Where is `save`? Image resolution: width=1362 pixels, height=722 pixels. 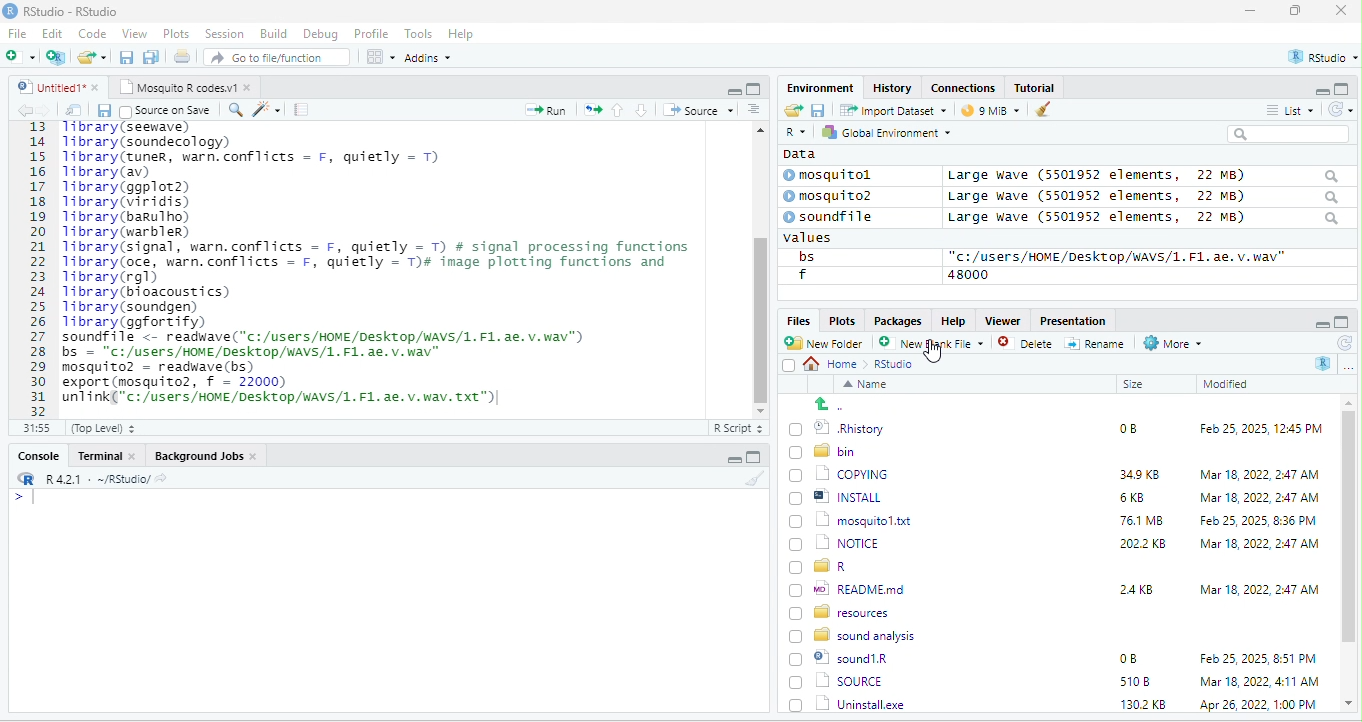
save is located at coordinates (817, 109).